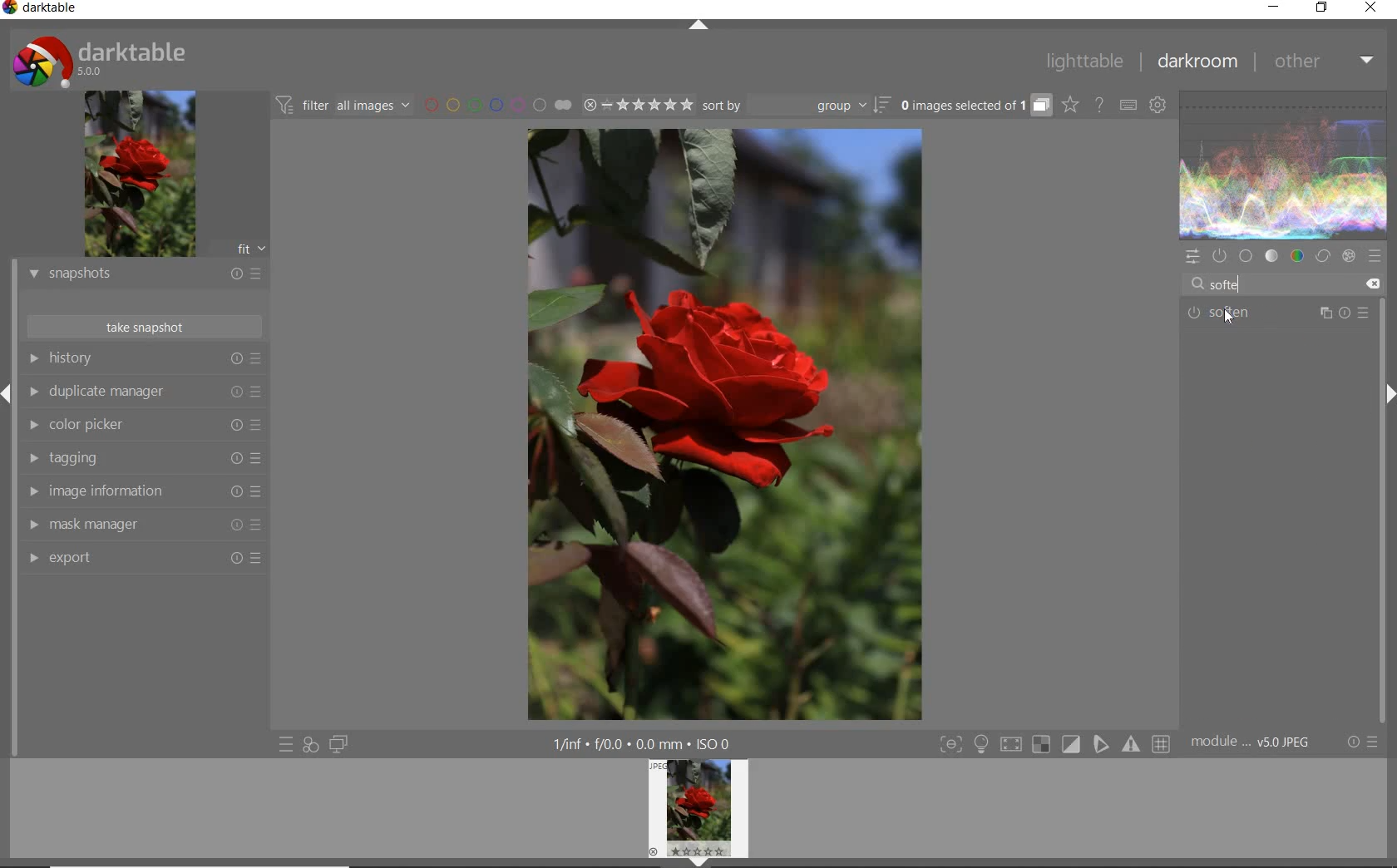 This screenshot has height=868, width=1397. I want to click on Cursor, so click(1231, 319).